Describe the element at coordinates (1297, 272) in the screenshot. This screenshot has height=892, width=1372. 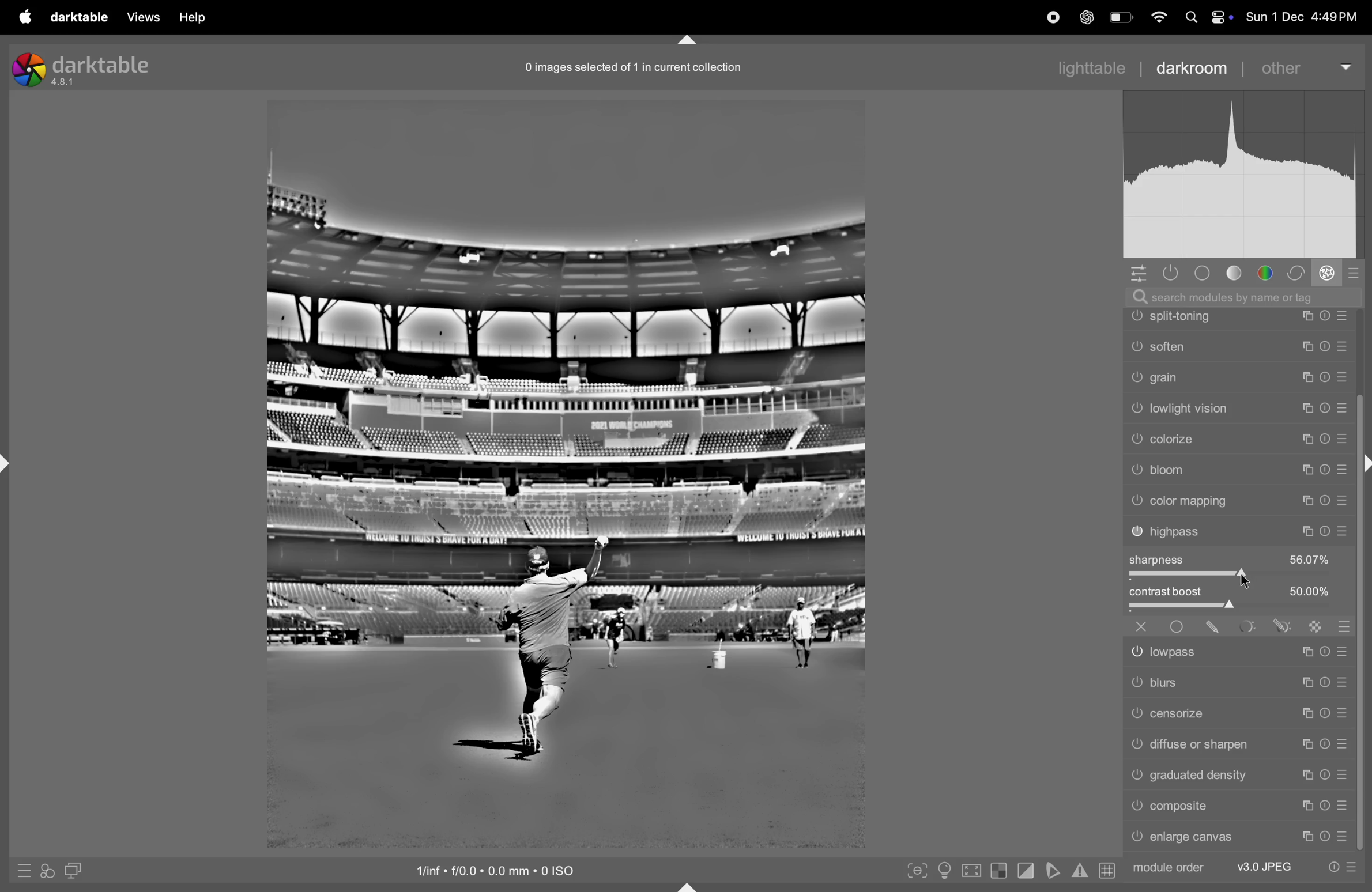
I see `correct` at that location.